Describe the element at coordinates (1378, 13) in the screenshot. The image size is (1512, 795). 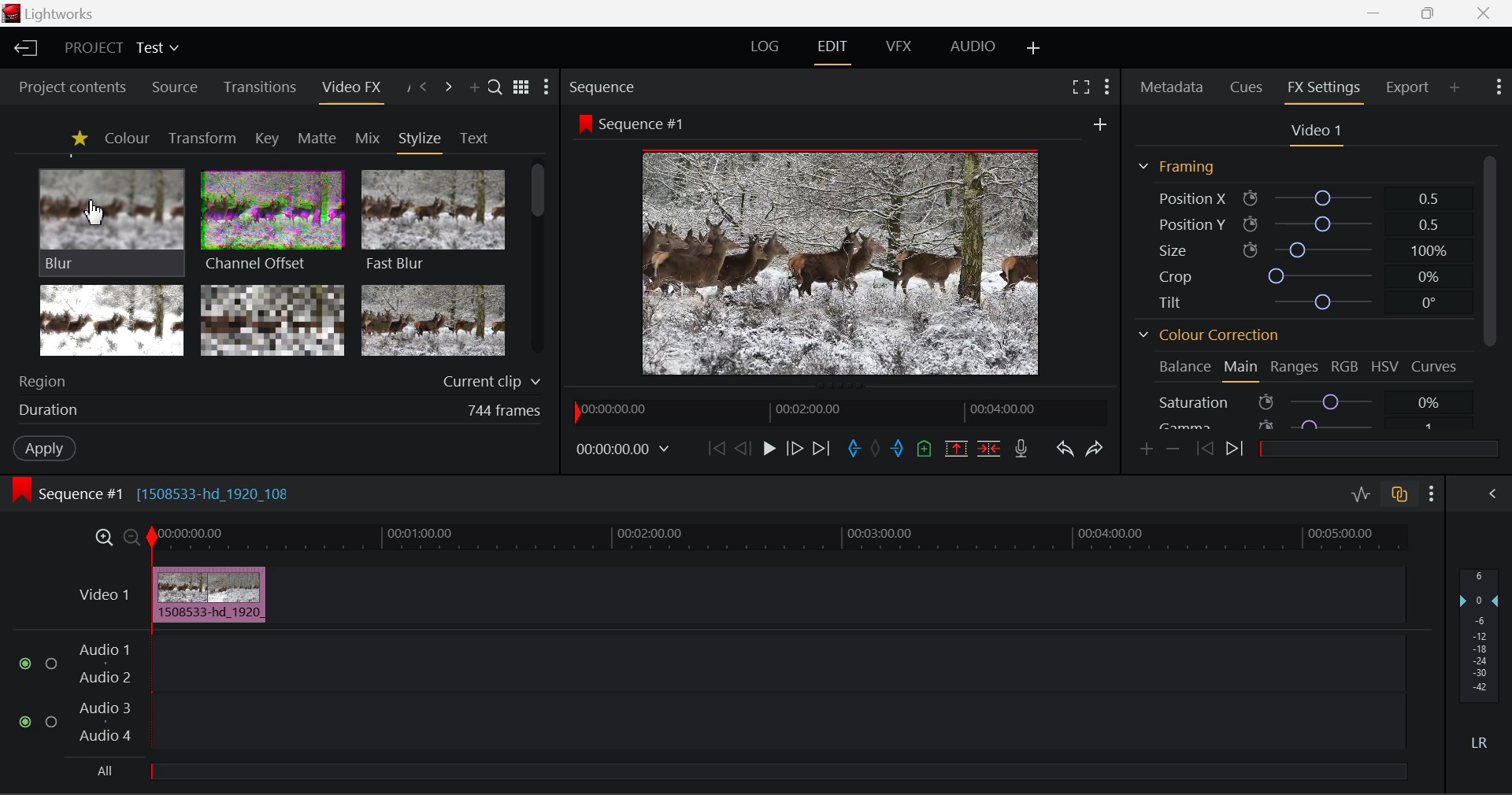
I see `Restore Down` at that location.